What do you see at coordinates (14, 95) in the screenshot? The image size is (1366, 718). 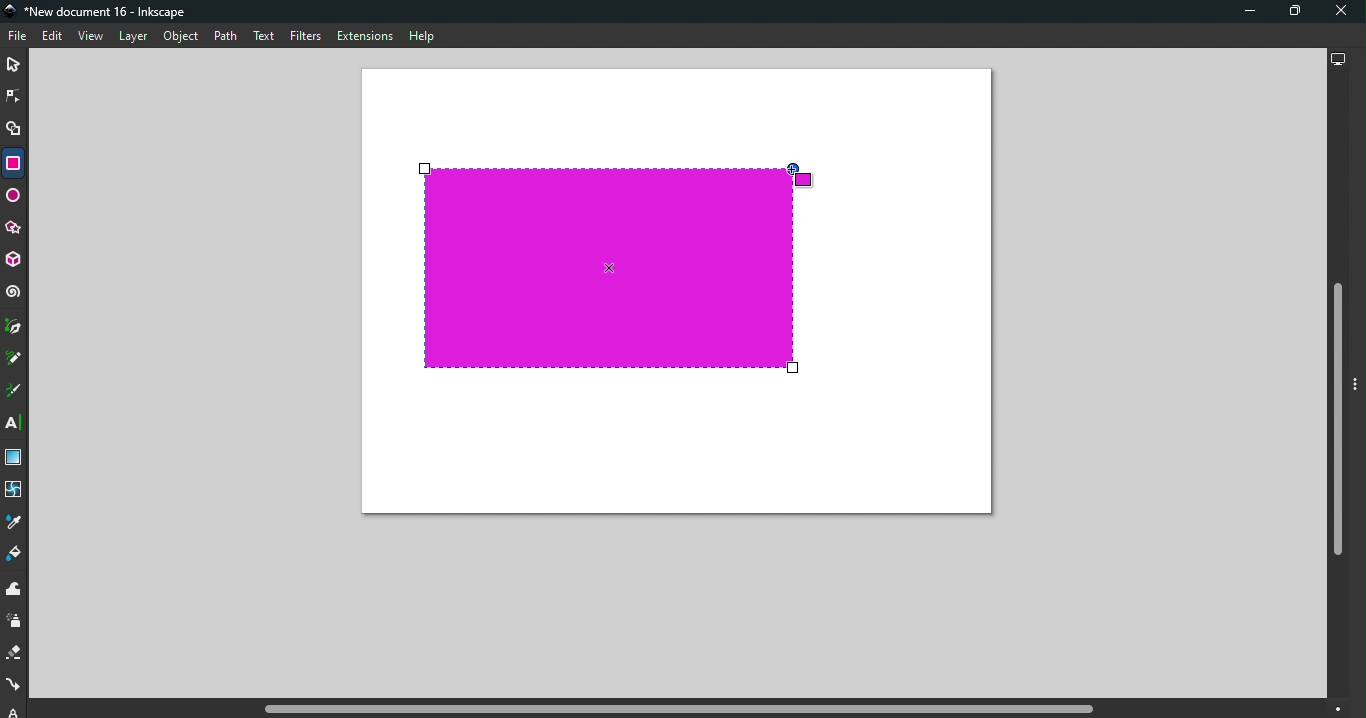 I see `Node tool` at bounding box center [14, 95].